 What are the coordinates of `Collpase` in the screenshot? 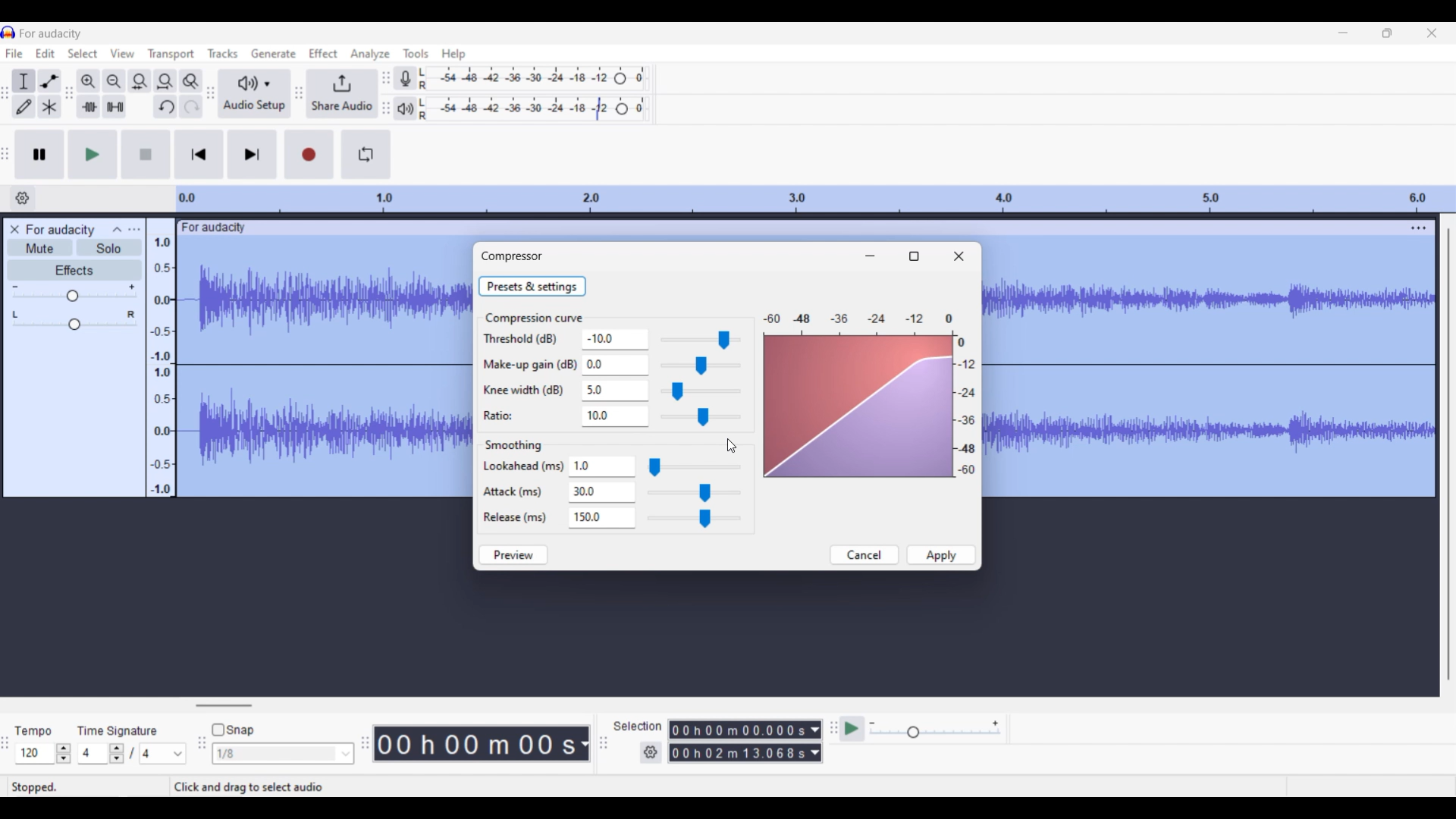 It's located at (118, 229).